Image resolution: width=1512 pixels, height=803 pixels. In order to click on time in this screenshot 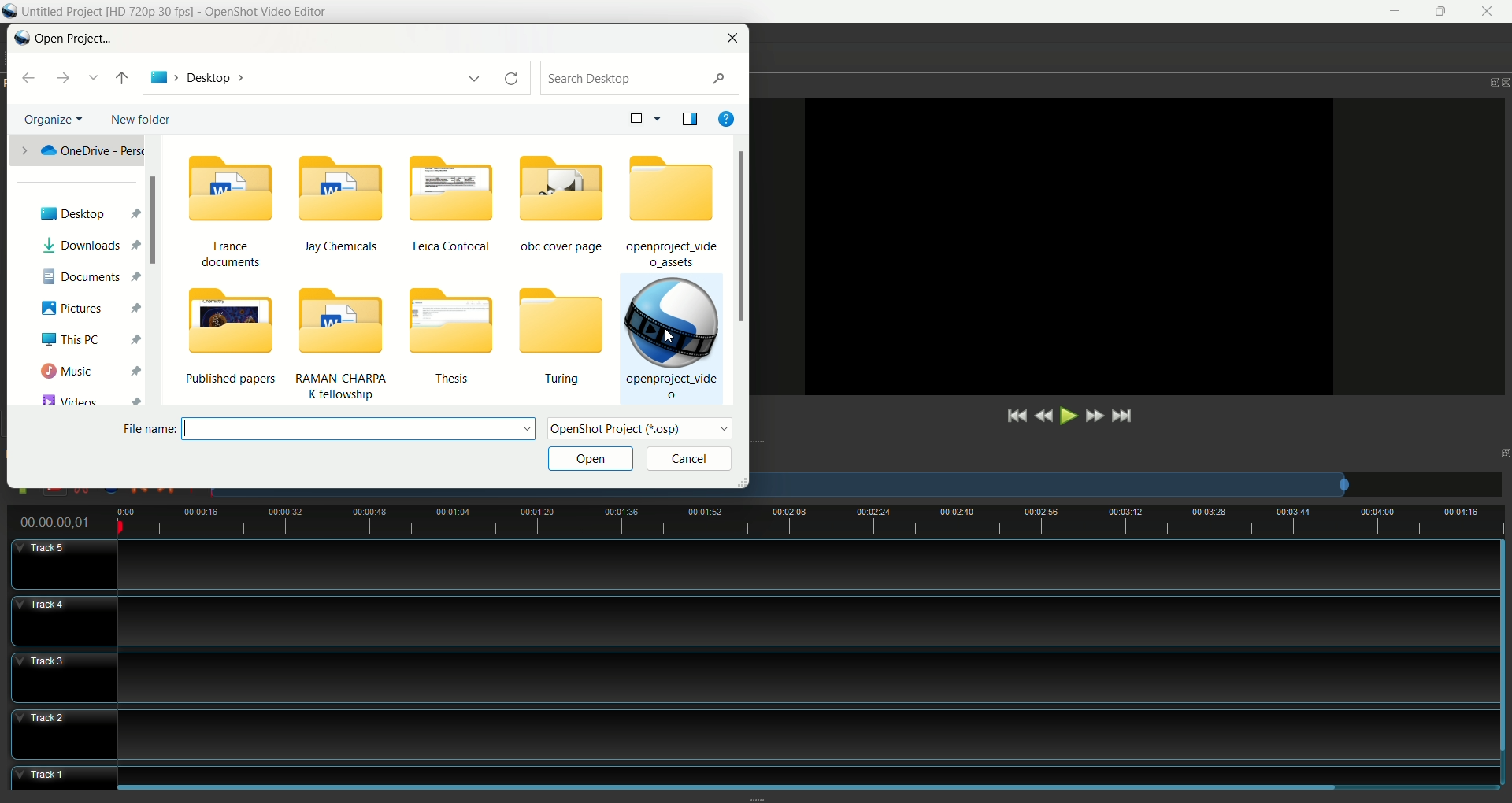, I will do `click(60, 522)`.